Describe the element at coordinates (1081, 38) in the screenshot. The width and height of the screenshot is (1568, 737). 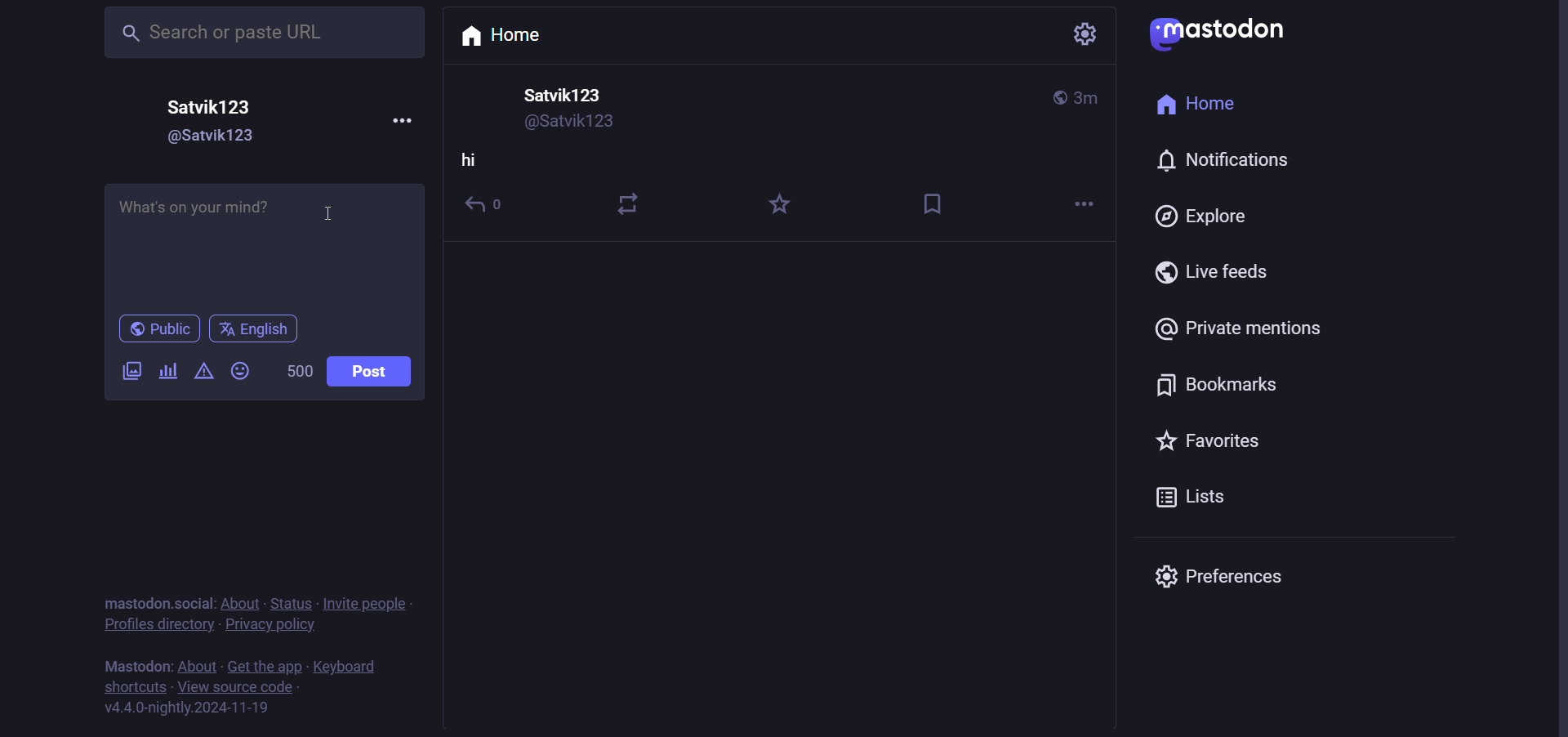
I see `setting` at that location.